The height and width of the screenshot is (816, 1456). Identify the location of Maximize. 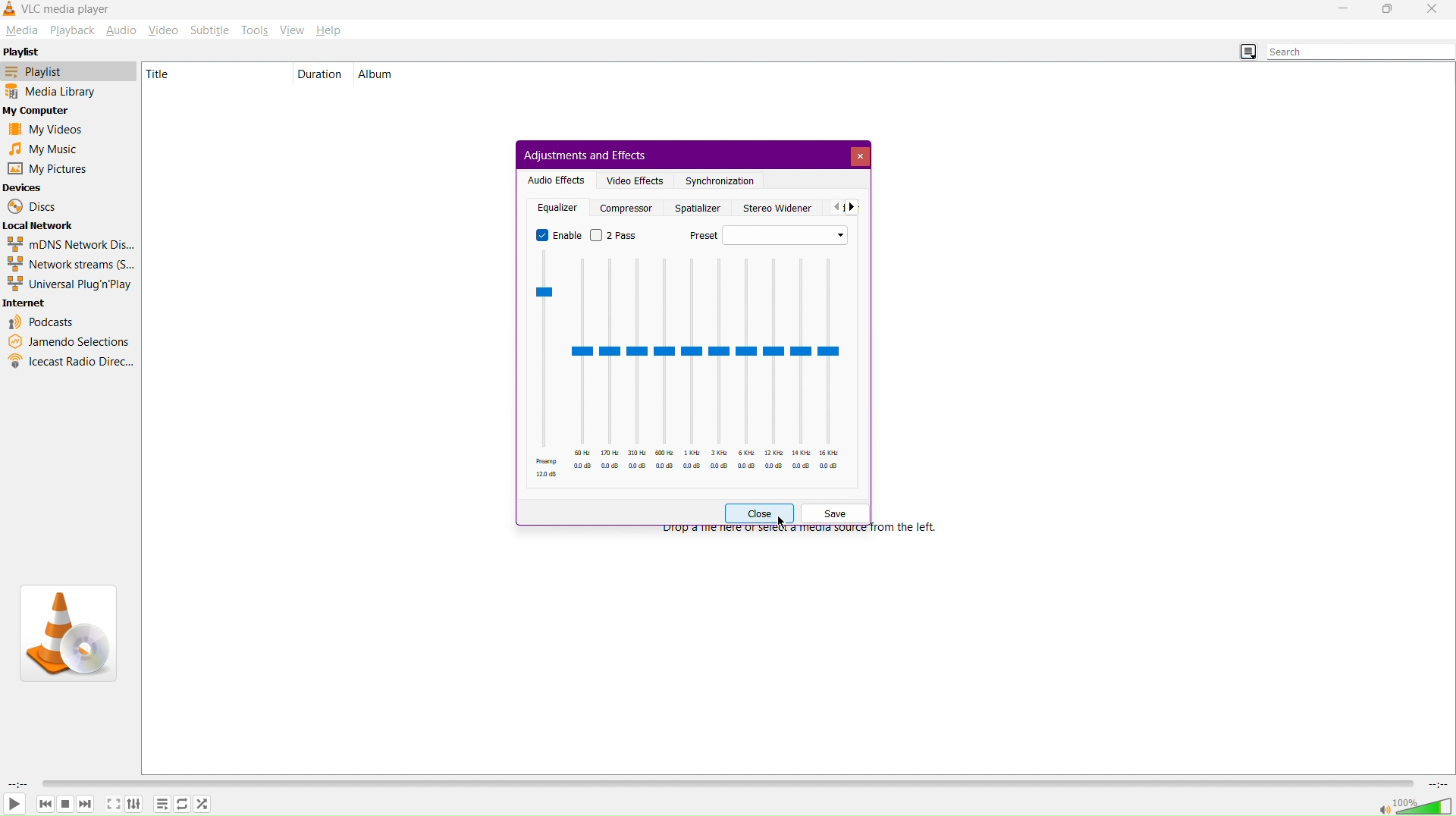
(1387, 9).